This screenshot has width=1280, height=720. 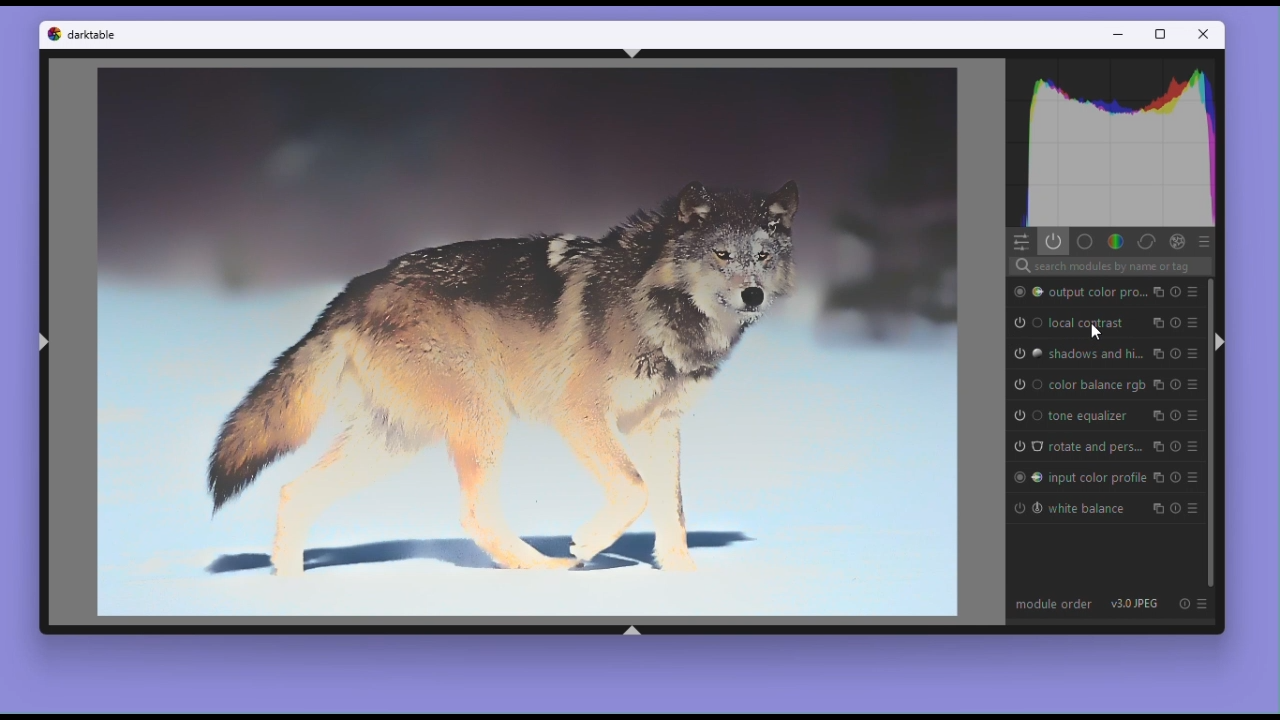 I want to click on Image, so click(x=526, y=344).